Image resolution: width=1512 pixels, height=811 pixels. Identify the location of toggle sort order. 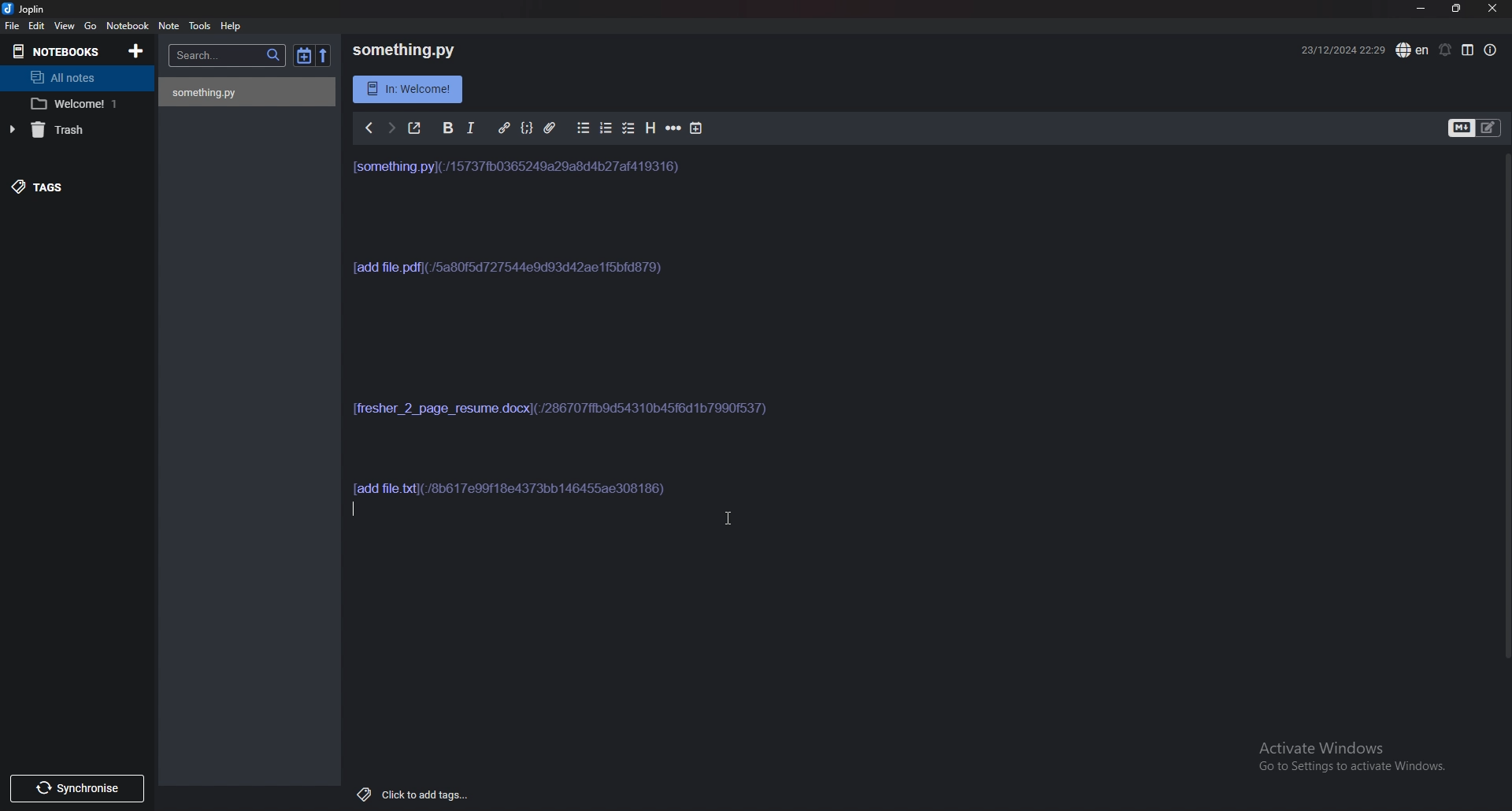
(304, 54).